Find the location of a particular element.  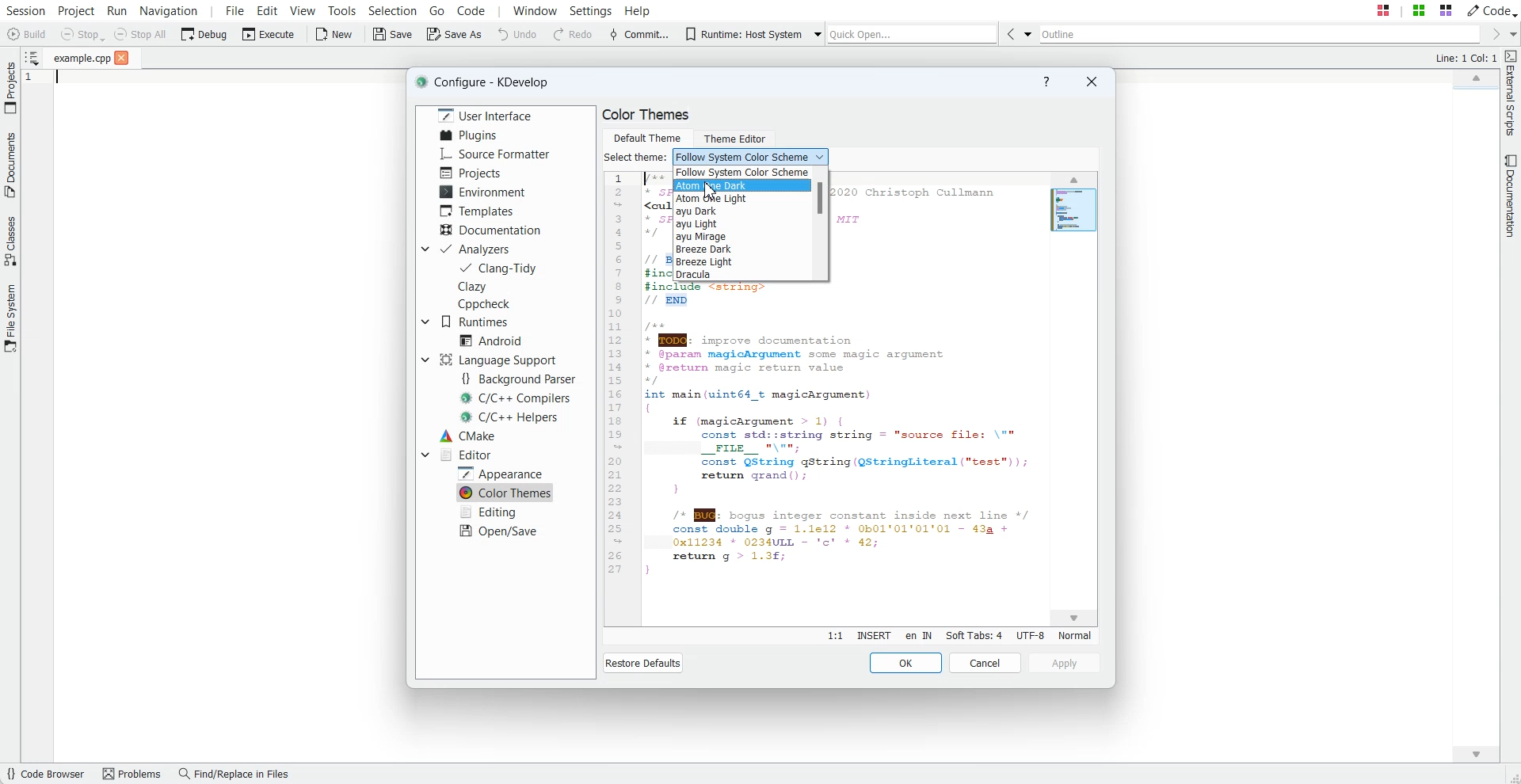

Drop Down box is located at coordinates (425, 322).